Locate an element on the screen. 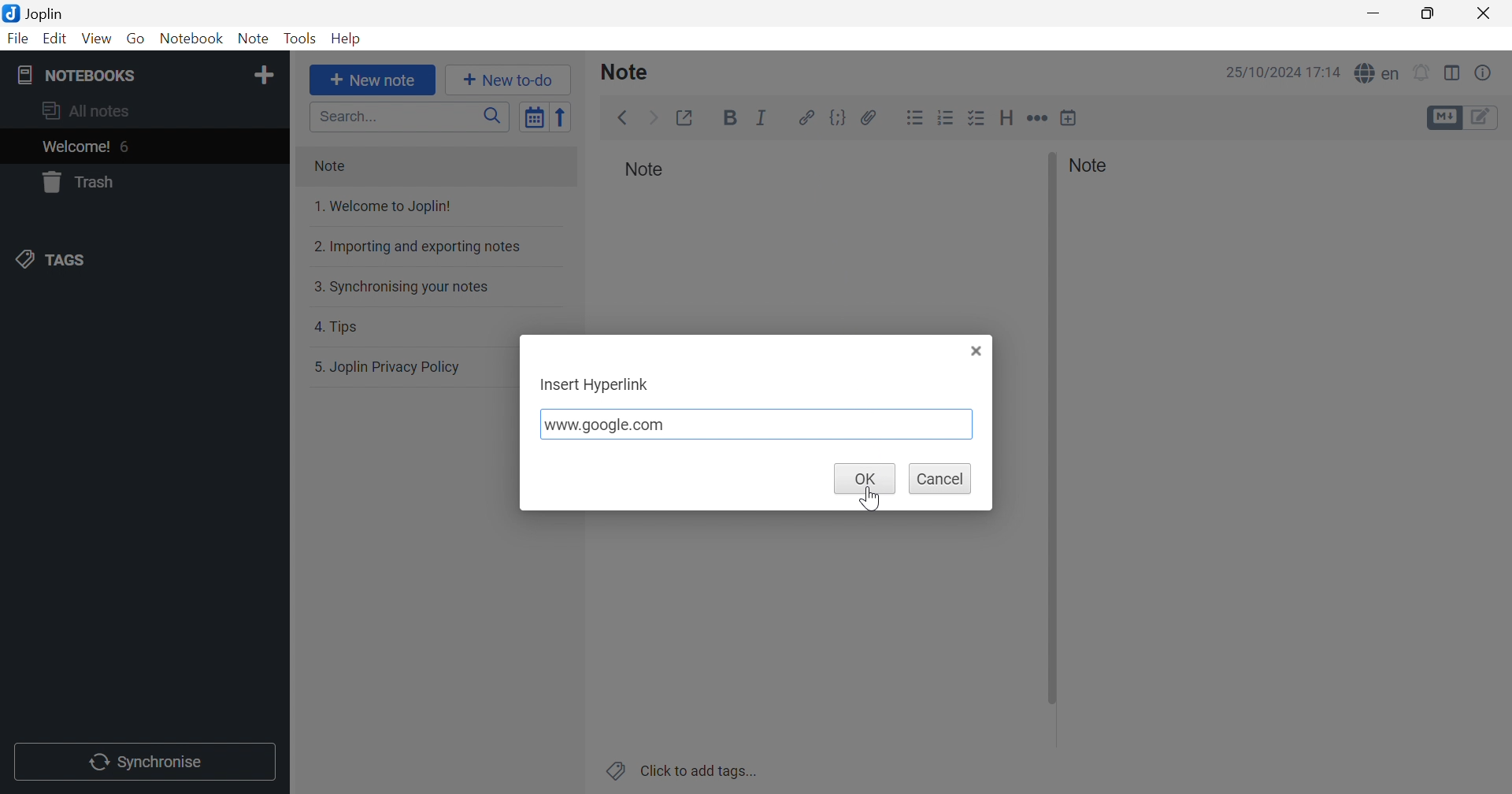 This screenshot has height=794, width=1512. Notebook is located at coordinates (192, 39).